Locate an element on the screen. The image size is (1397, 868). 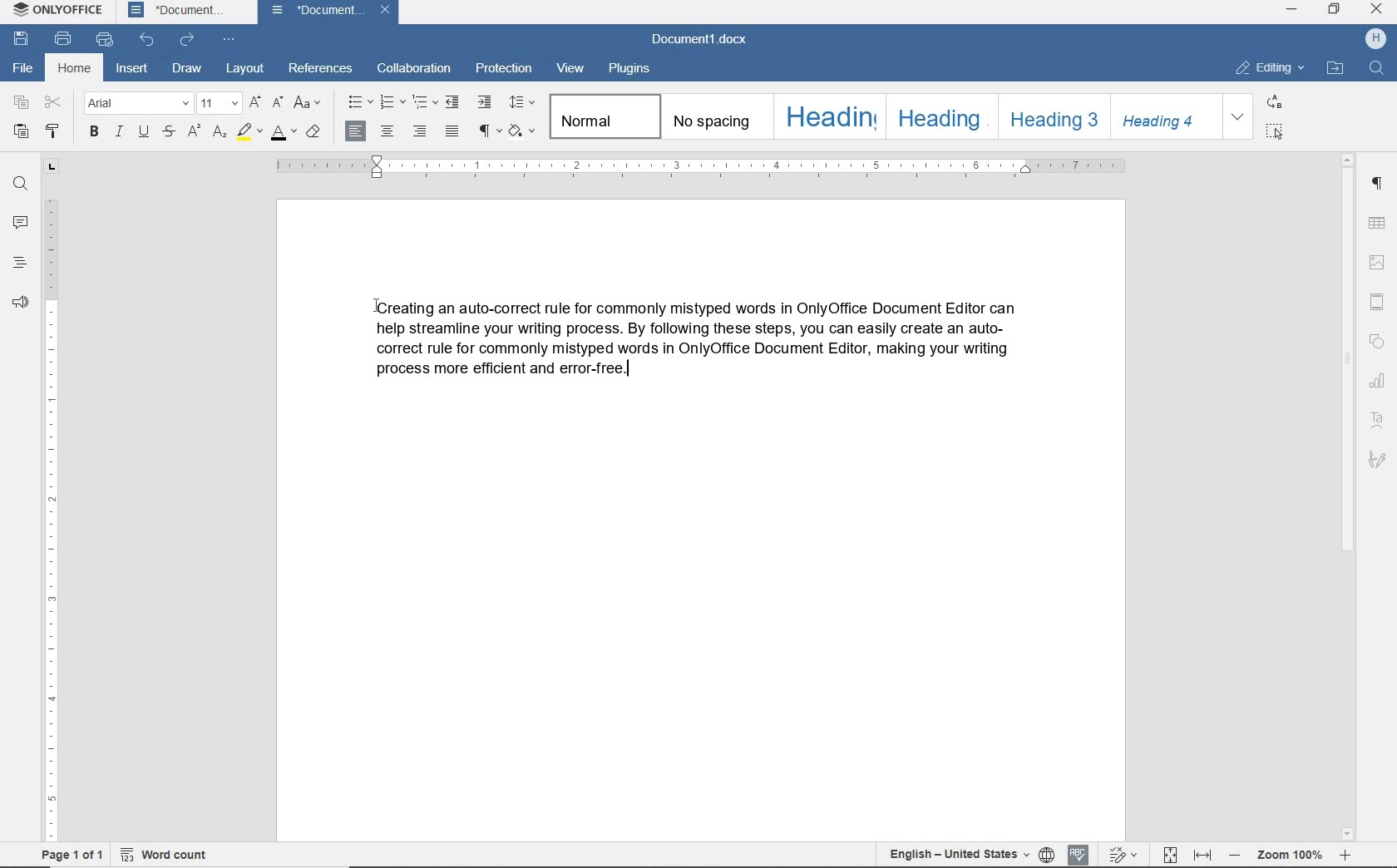
align left is located at coordinates (356, 131).